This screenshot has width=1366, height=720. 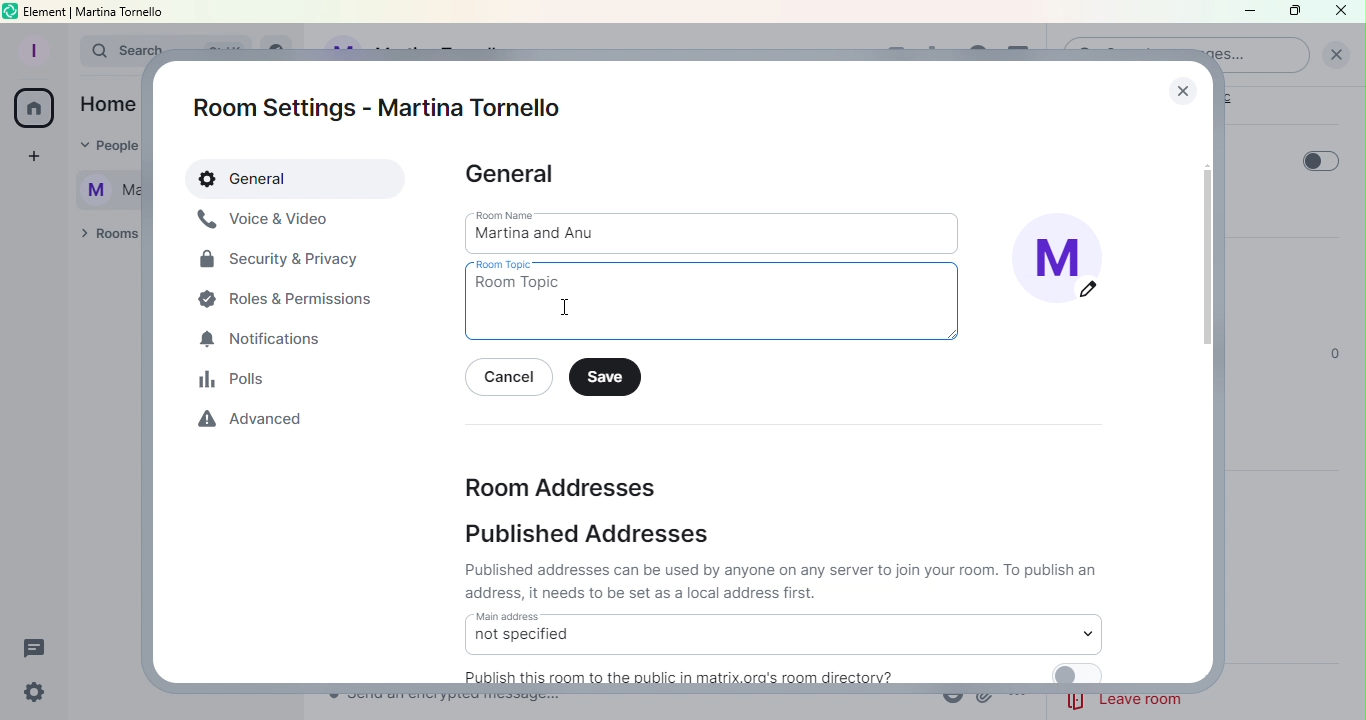 I want to click on Clear Search, so click(x=1336, y=55).